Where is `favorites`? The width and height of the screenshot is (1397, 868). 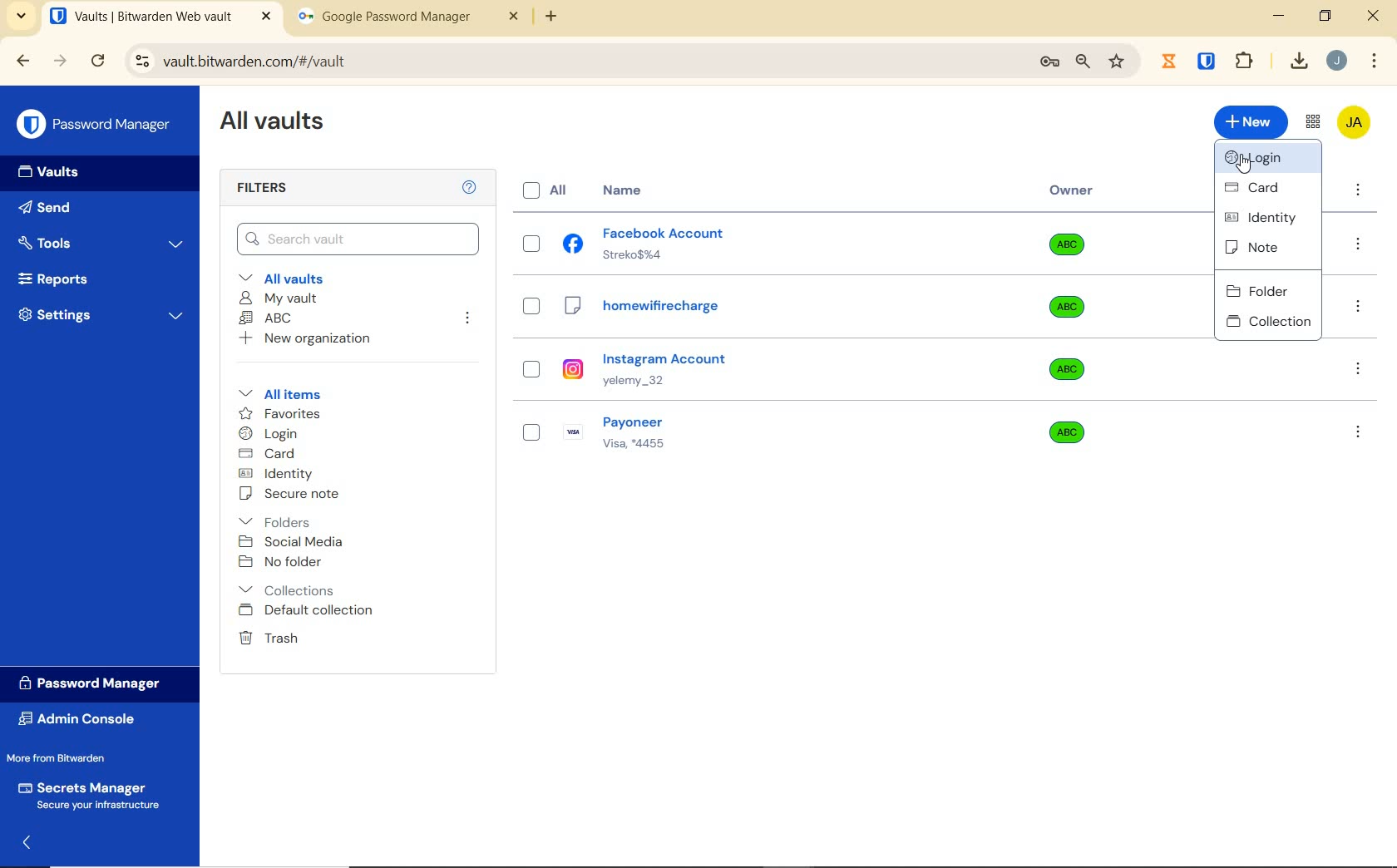
favorites is located at coordinates (281, 416).